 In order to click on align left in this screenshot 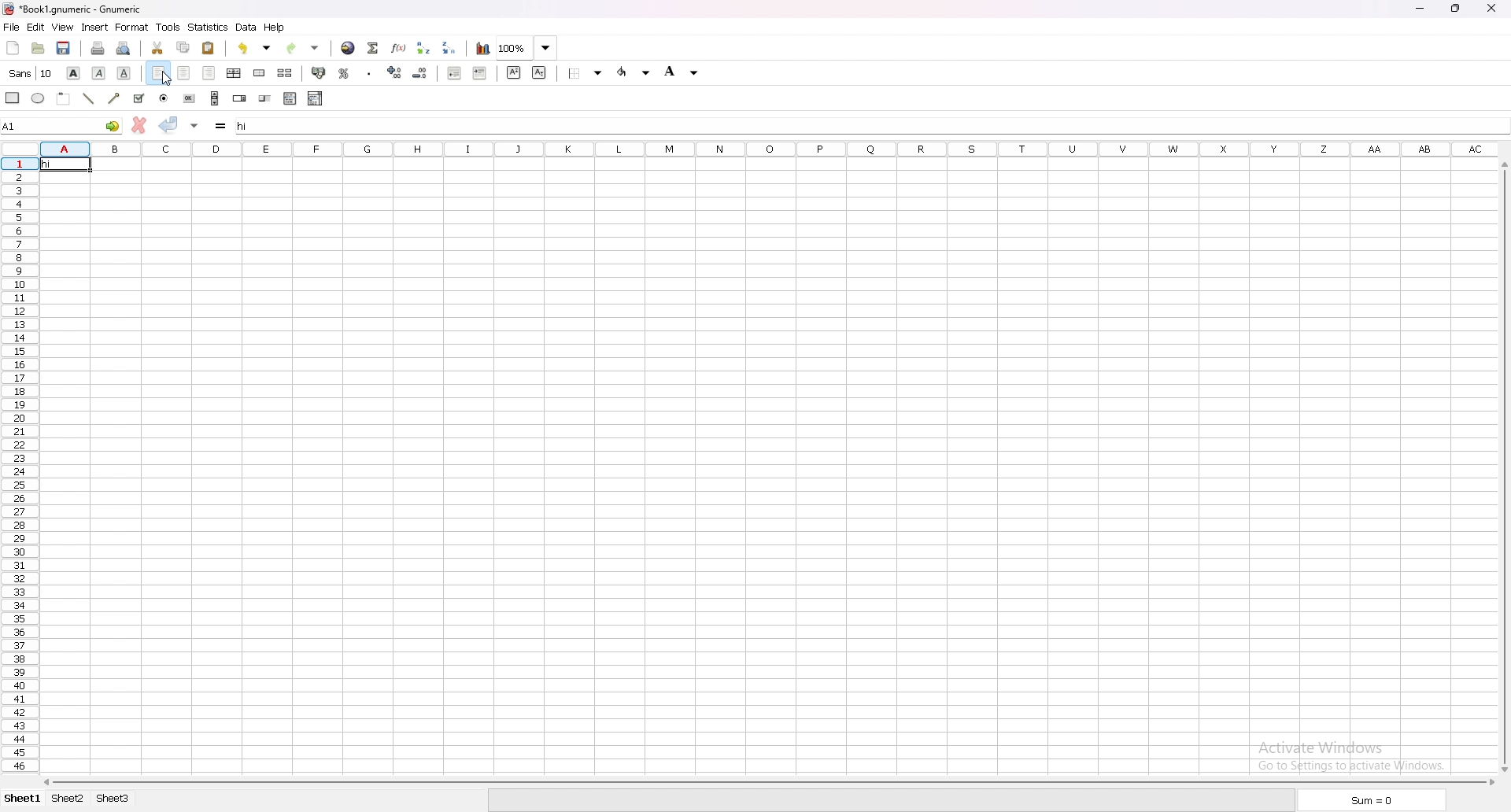, I will do `click(158, 74)`.